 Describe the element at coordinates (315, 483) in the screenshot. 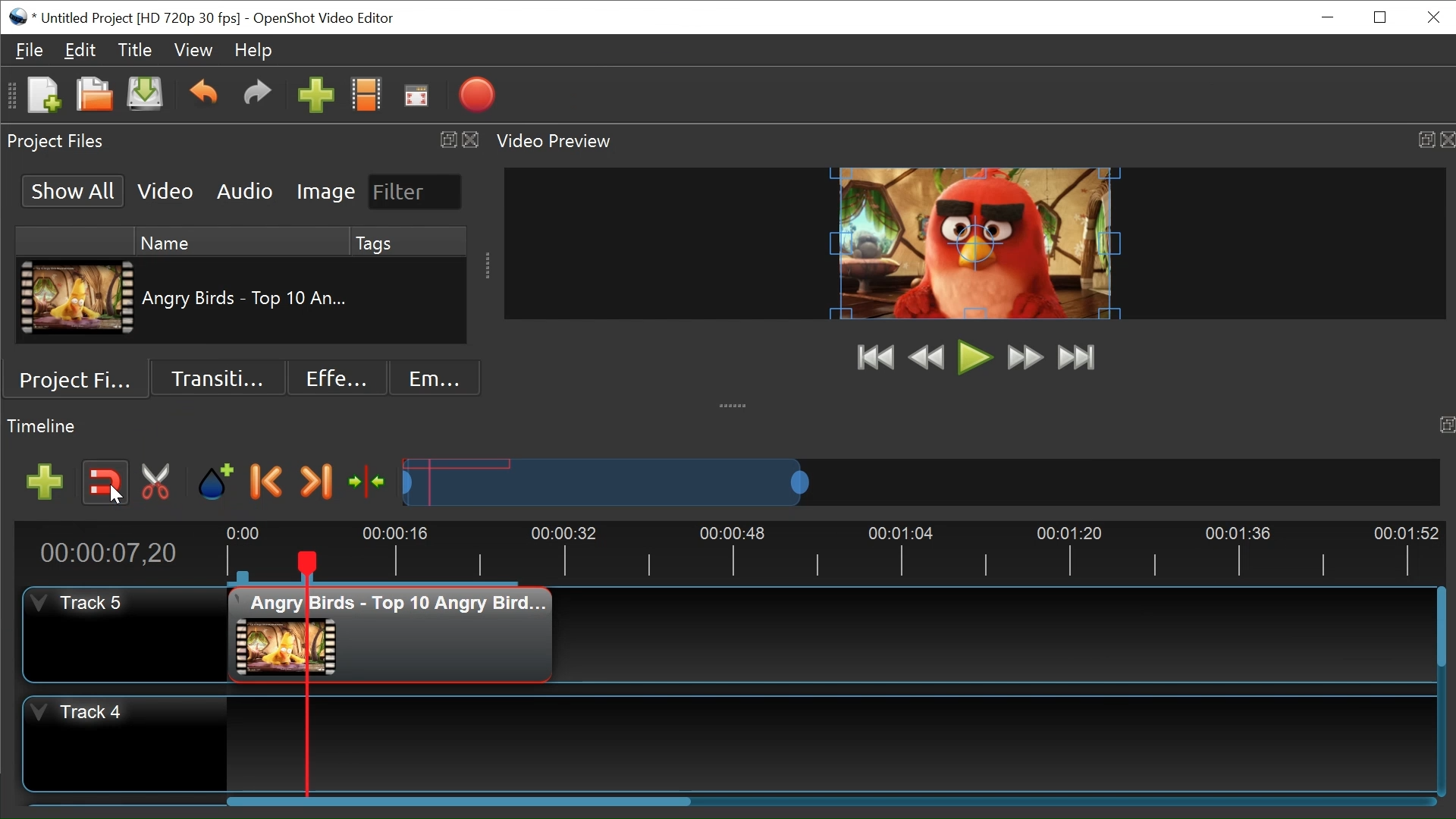

I see `Next Marker` at that location.